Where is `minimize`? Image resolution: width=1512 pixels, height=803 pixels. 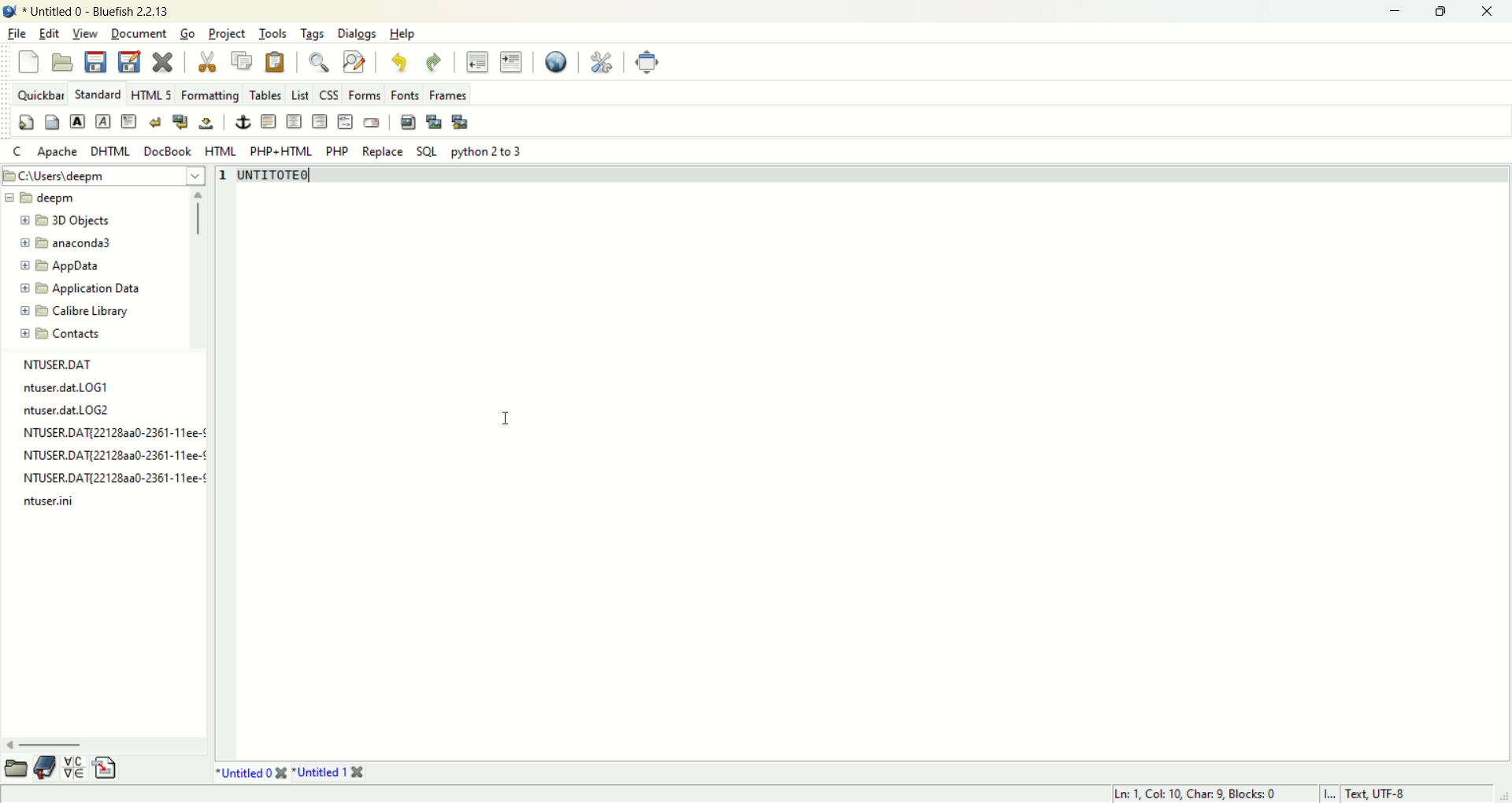 minimize is located at coordinates (1392, 12).